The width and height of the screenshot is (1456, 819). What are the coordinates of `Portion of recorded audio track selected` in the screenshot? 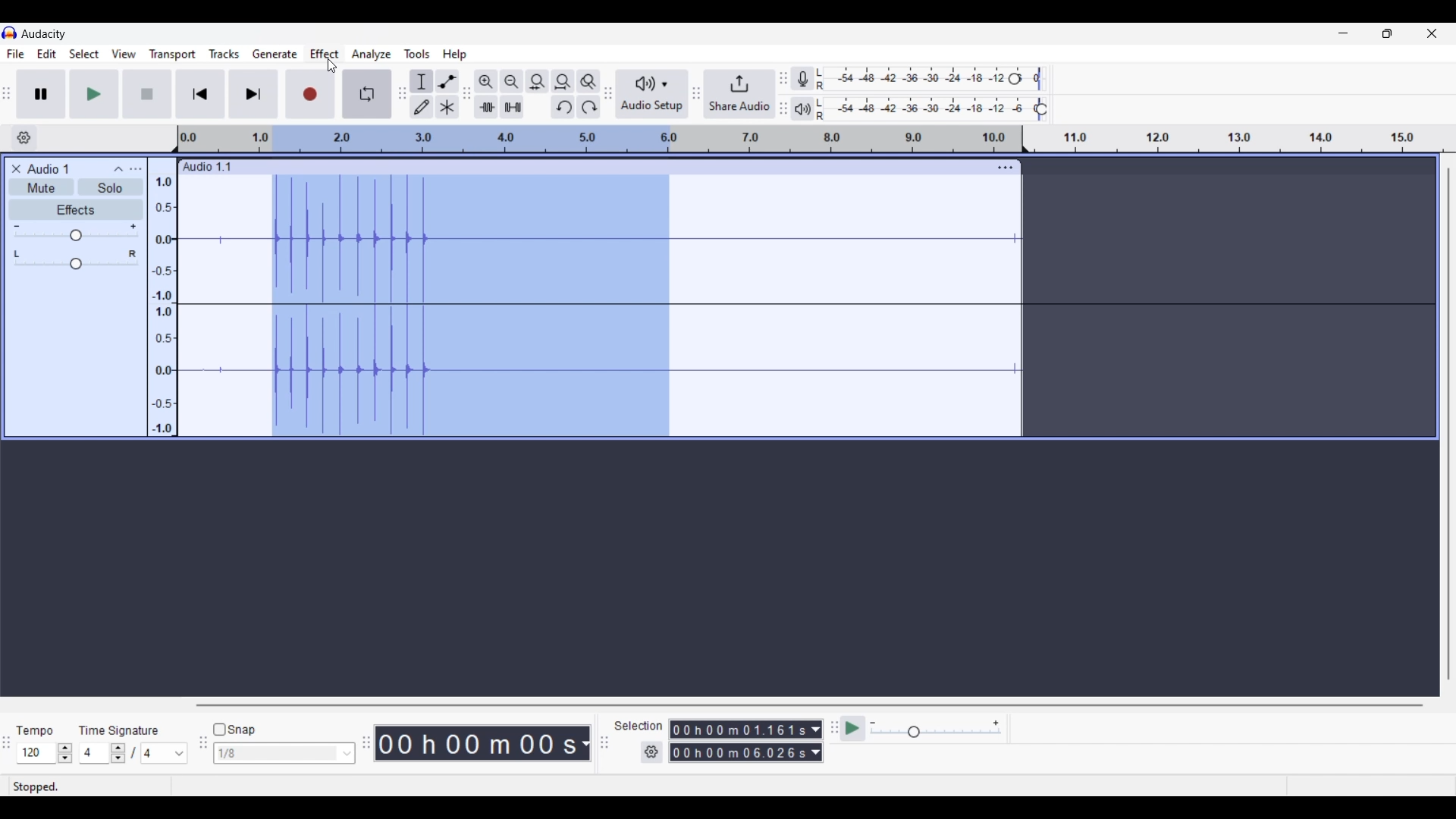 It's located at (470, 306).